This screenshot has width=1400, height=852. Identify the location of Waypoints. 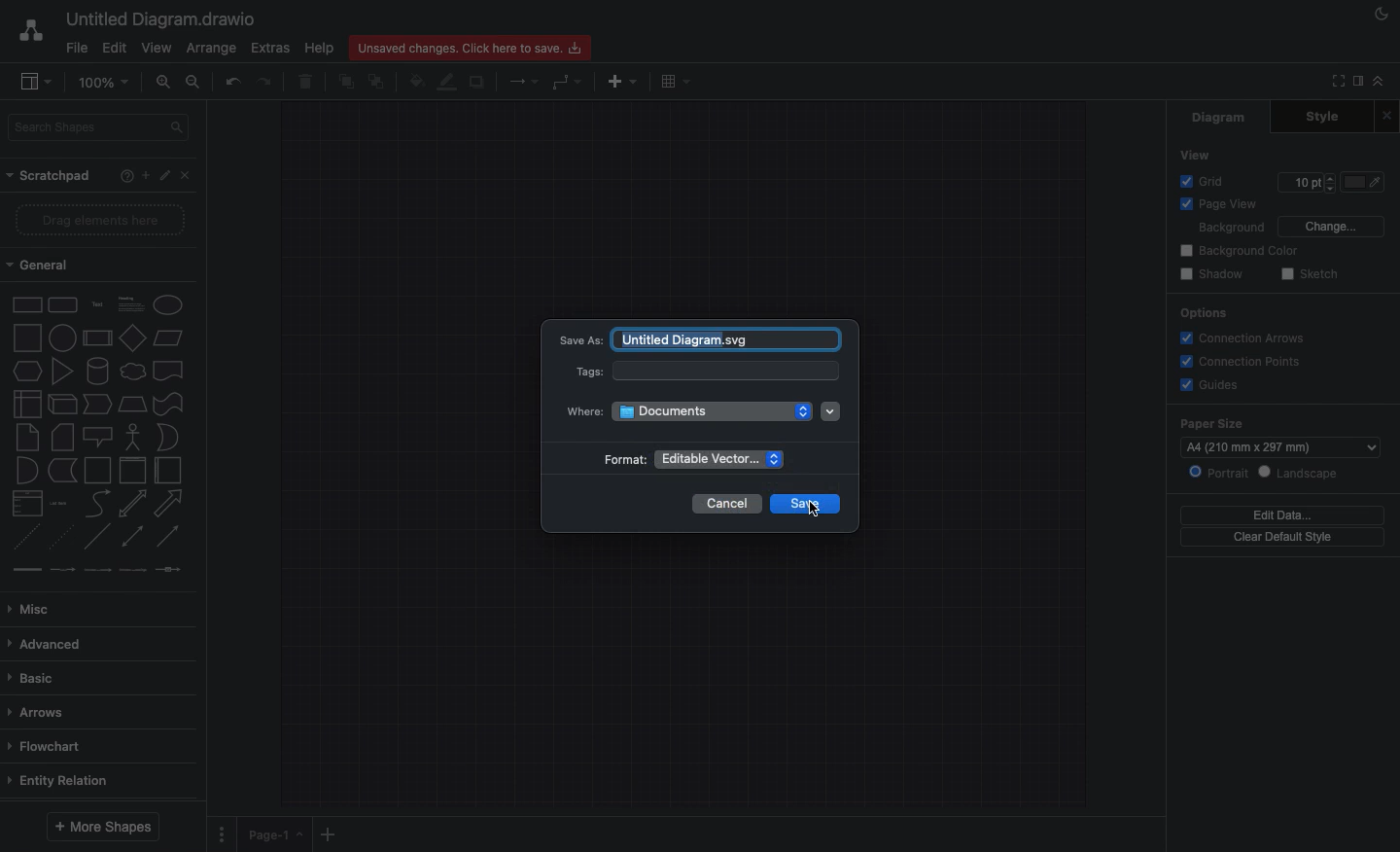
(567, 83).